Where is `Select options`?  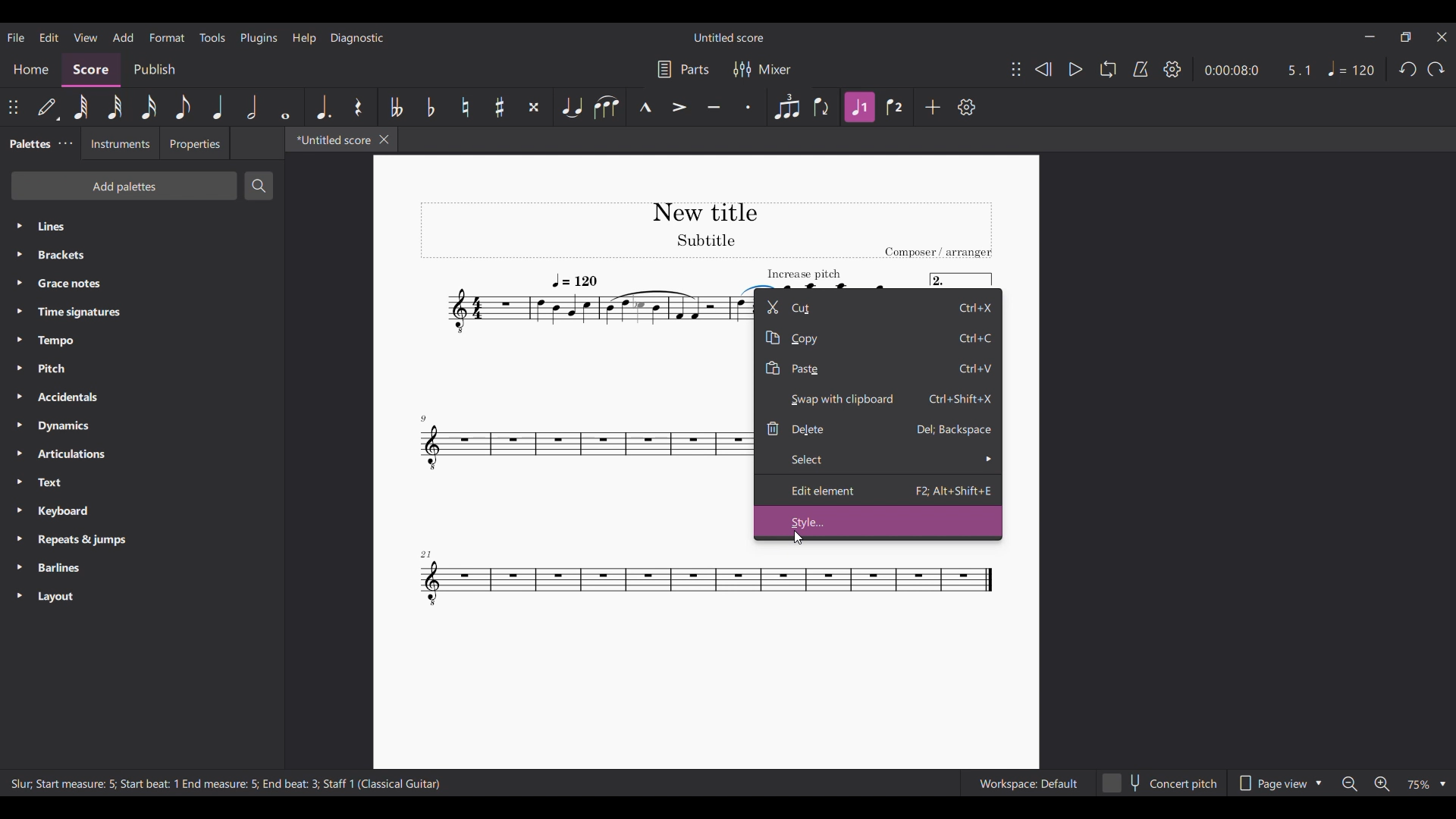 Select options is located at coordinates (879, 460).